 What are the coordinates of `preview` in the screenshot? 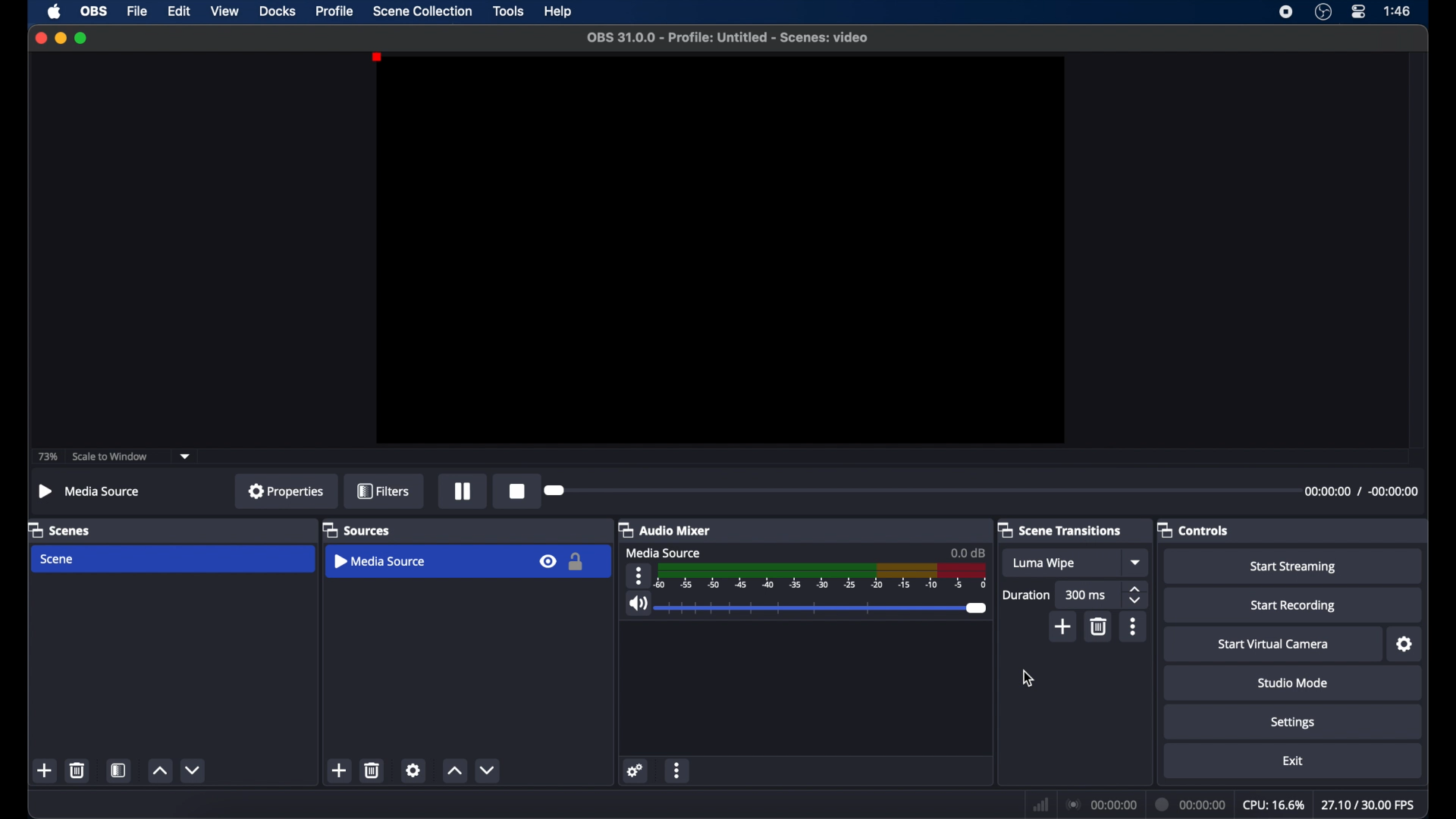 It's located at (723, 250).